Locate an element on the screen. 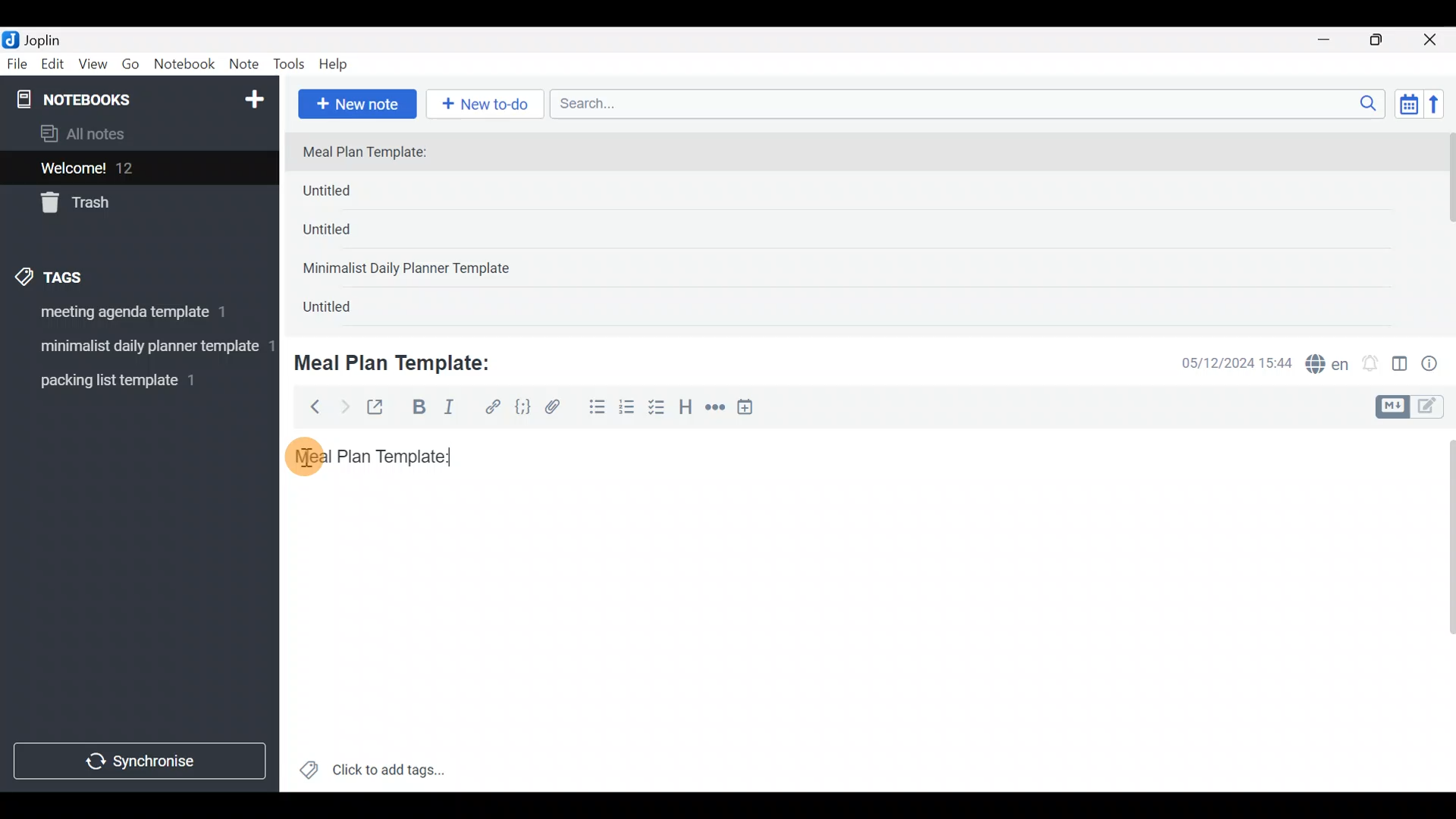  Note properties is located at coordinates (1436, 365).